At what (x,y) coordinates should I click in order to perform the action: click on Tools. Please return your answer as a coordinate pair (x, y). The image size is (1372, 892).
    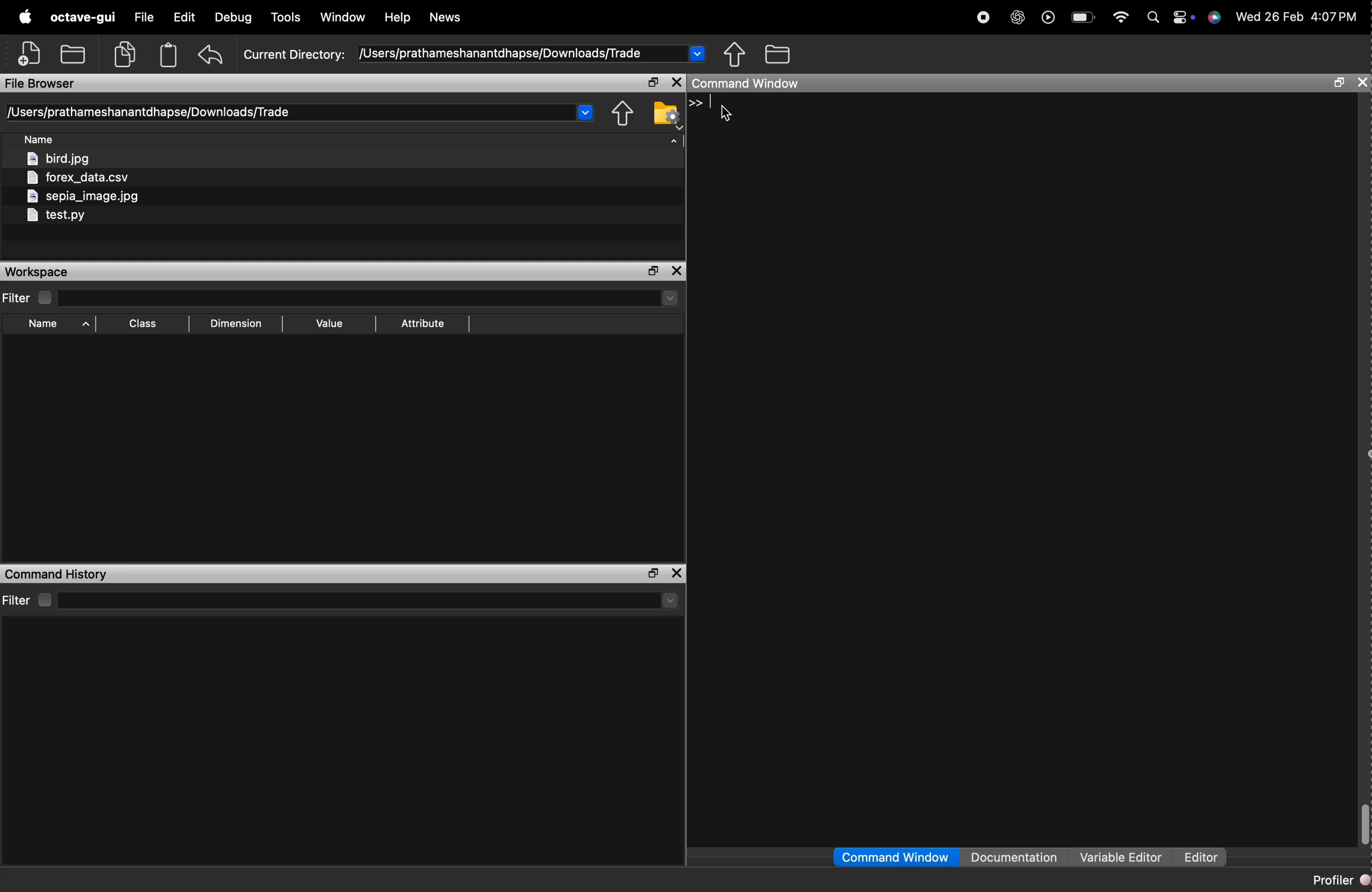
    Looking at the image, I should click on (287, 18).